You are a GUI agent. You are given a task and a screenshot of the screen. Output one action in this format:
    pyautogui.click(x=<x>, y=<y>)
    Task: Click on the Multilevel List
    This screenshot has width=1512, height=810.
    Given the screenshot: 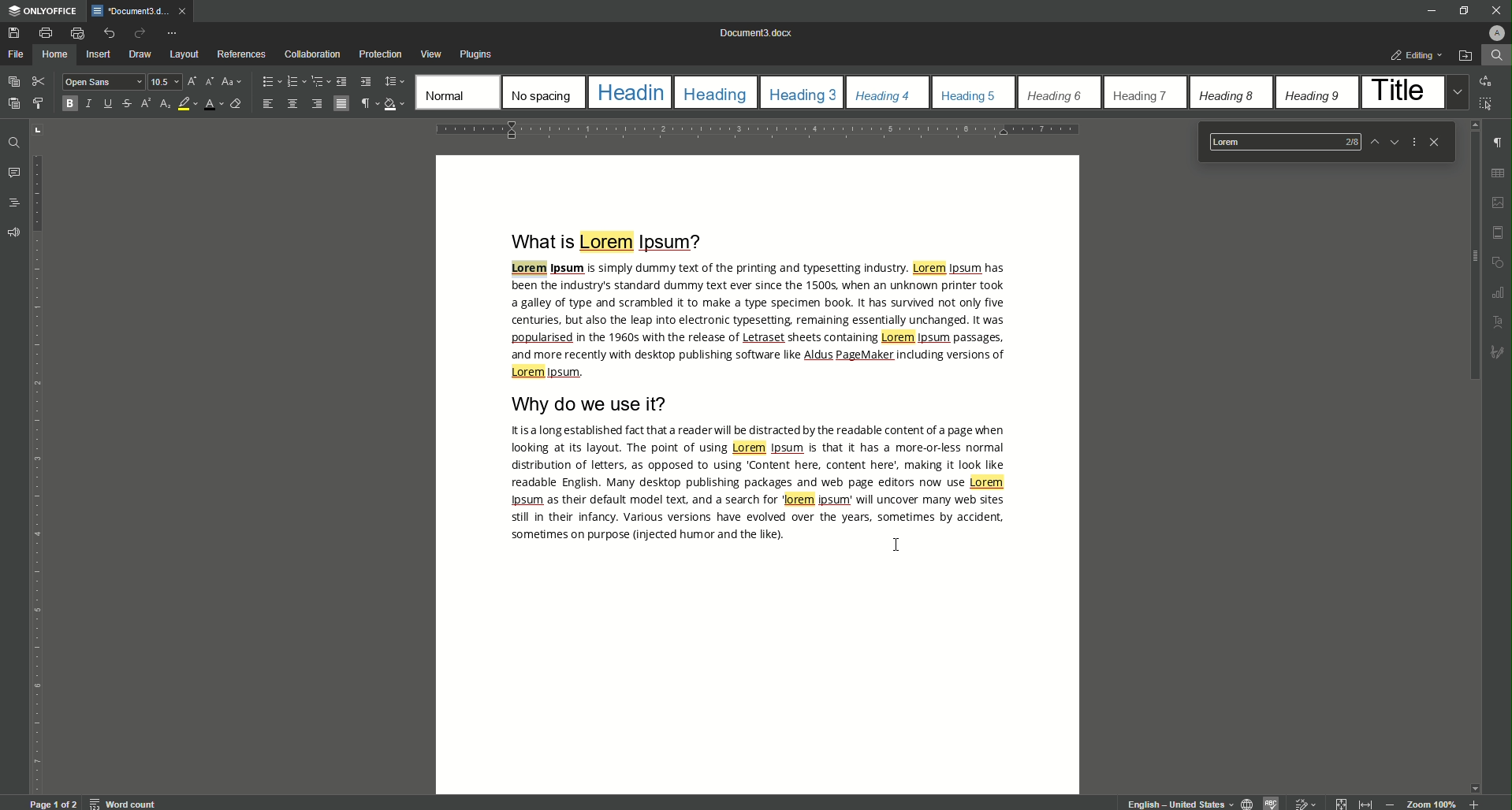 What is the action you would take?
    pyautogui.click(x=317, y=81)
    